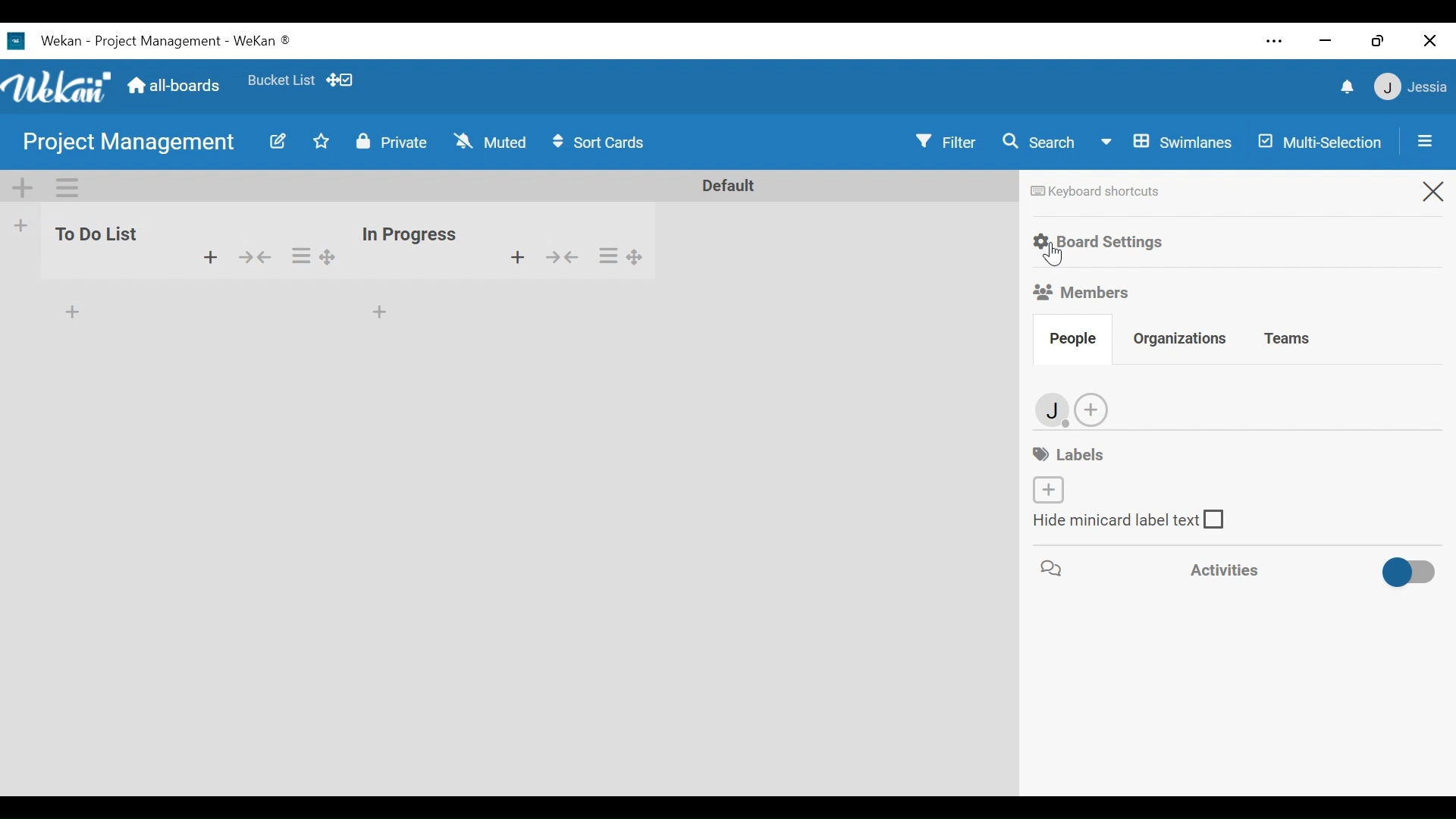 The image size is (1456, 819). What do you see at coordinates (1090, 409) in the screenshot?
I see `Add Member` at bounding box center [1090, 409].